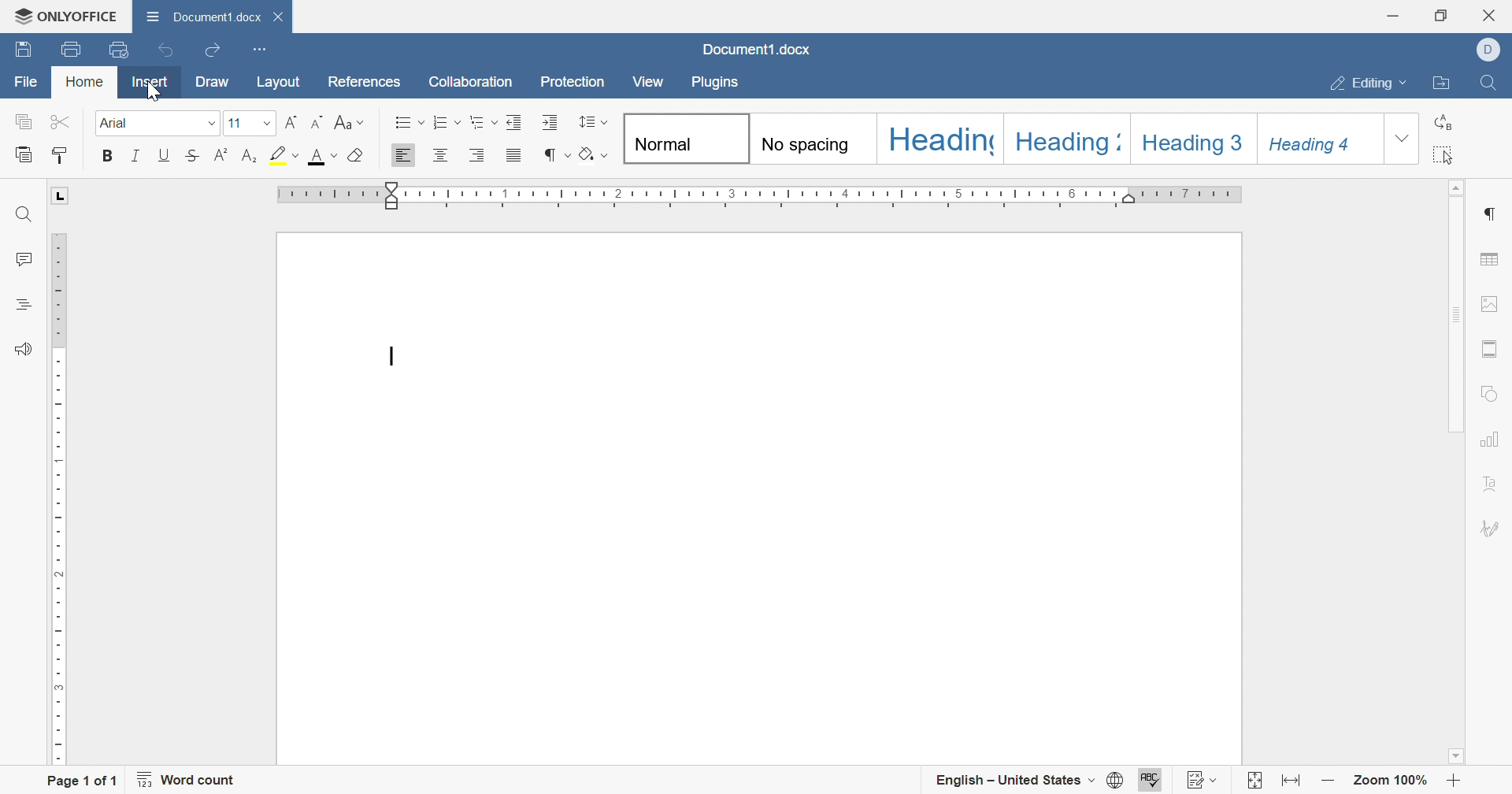 The image size is (1512, 794). What do you see at coordinates (686, 139) in the screenshot?
I see `Normal` at bounding box center [686, 139].